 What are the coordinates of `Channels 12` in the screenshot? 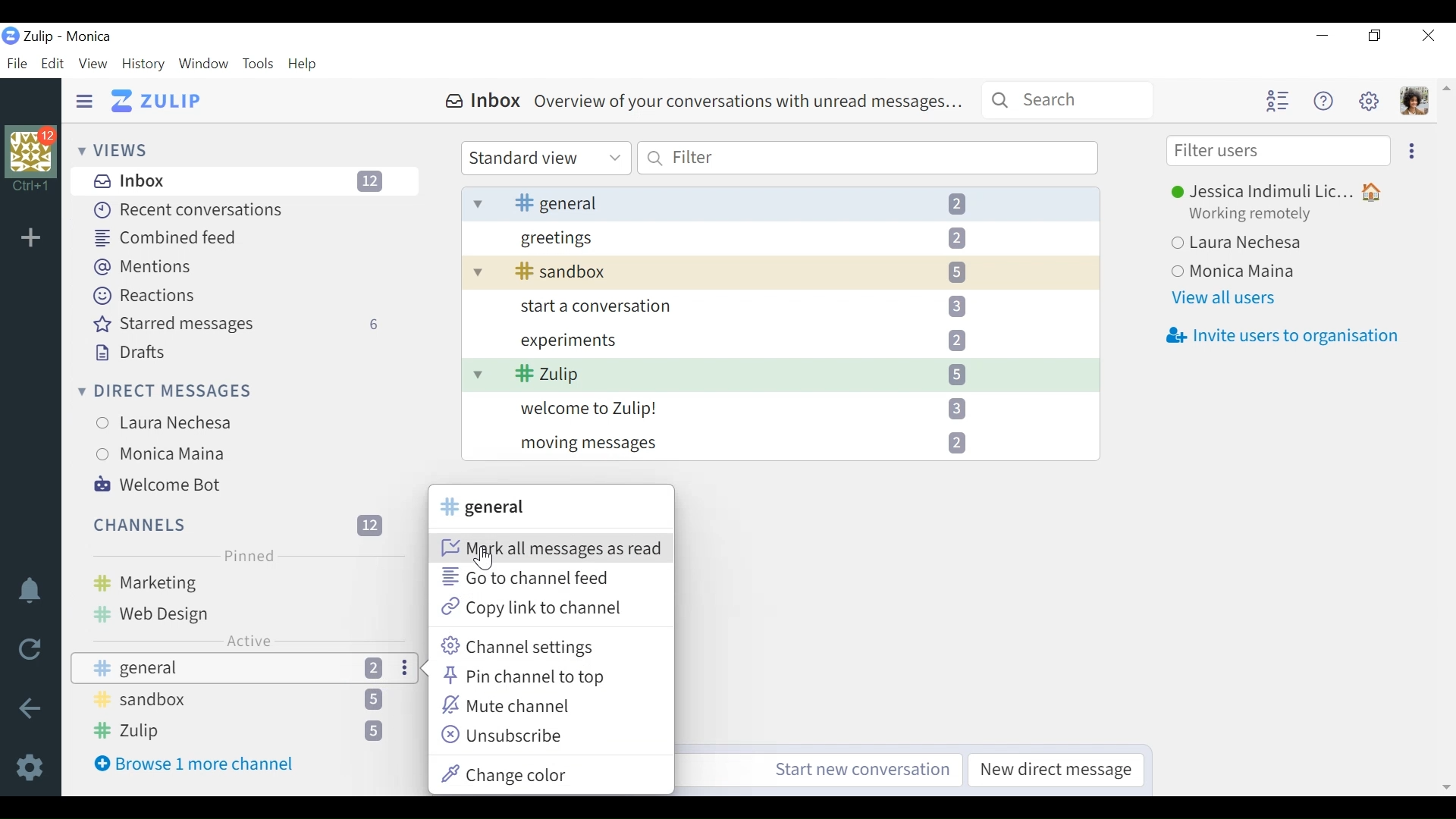 It's located at (240, 524).